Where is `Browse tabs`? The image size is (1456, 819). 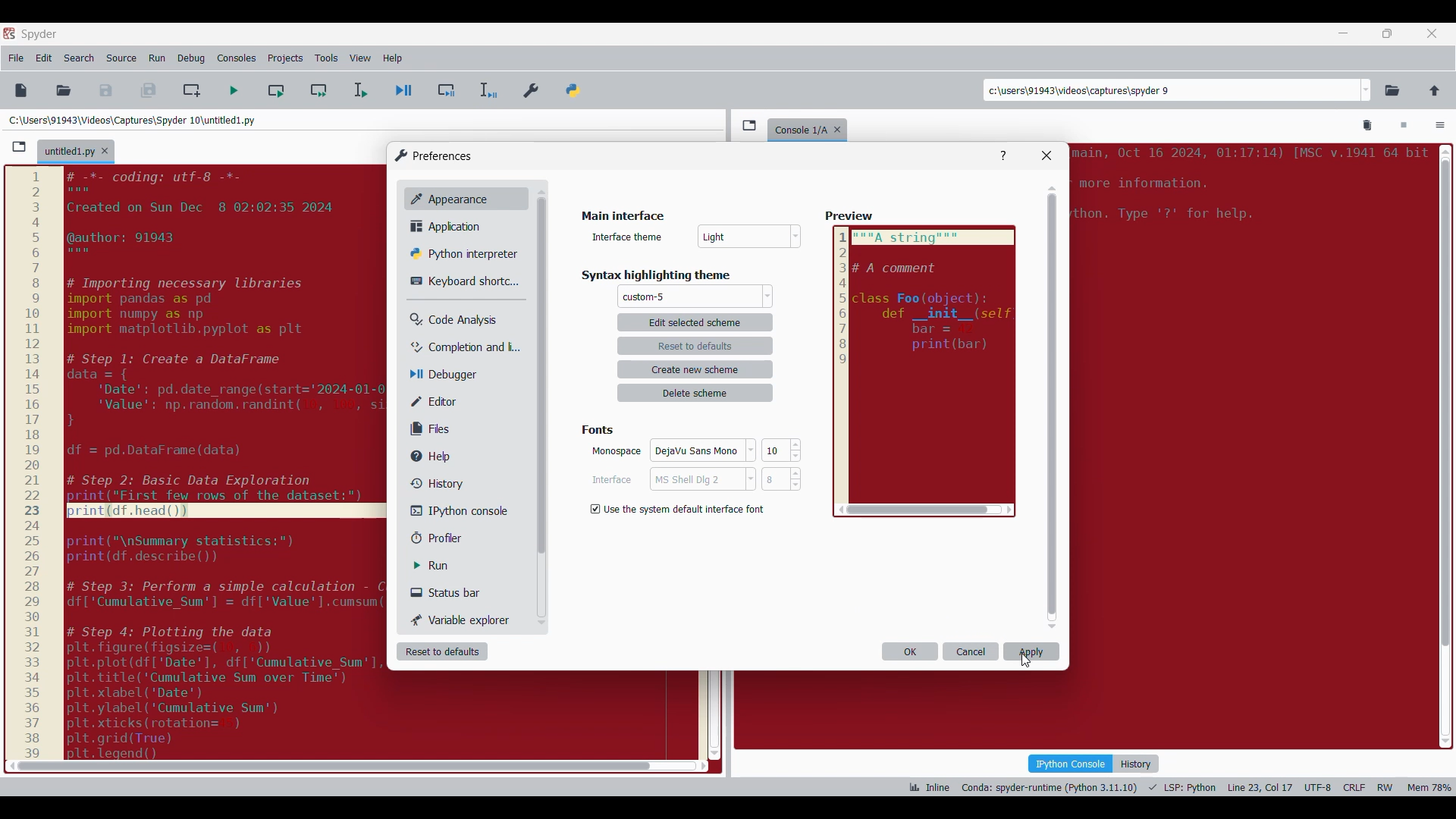
Browse tabs is located at coordinates (749, 125).